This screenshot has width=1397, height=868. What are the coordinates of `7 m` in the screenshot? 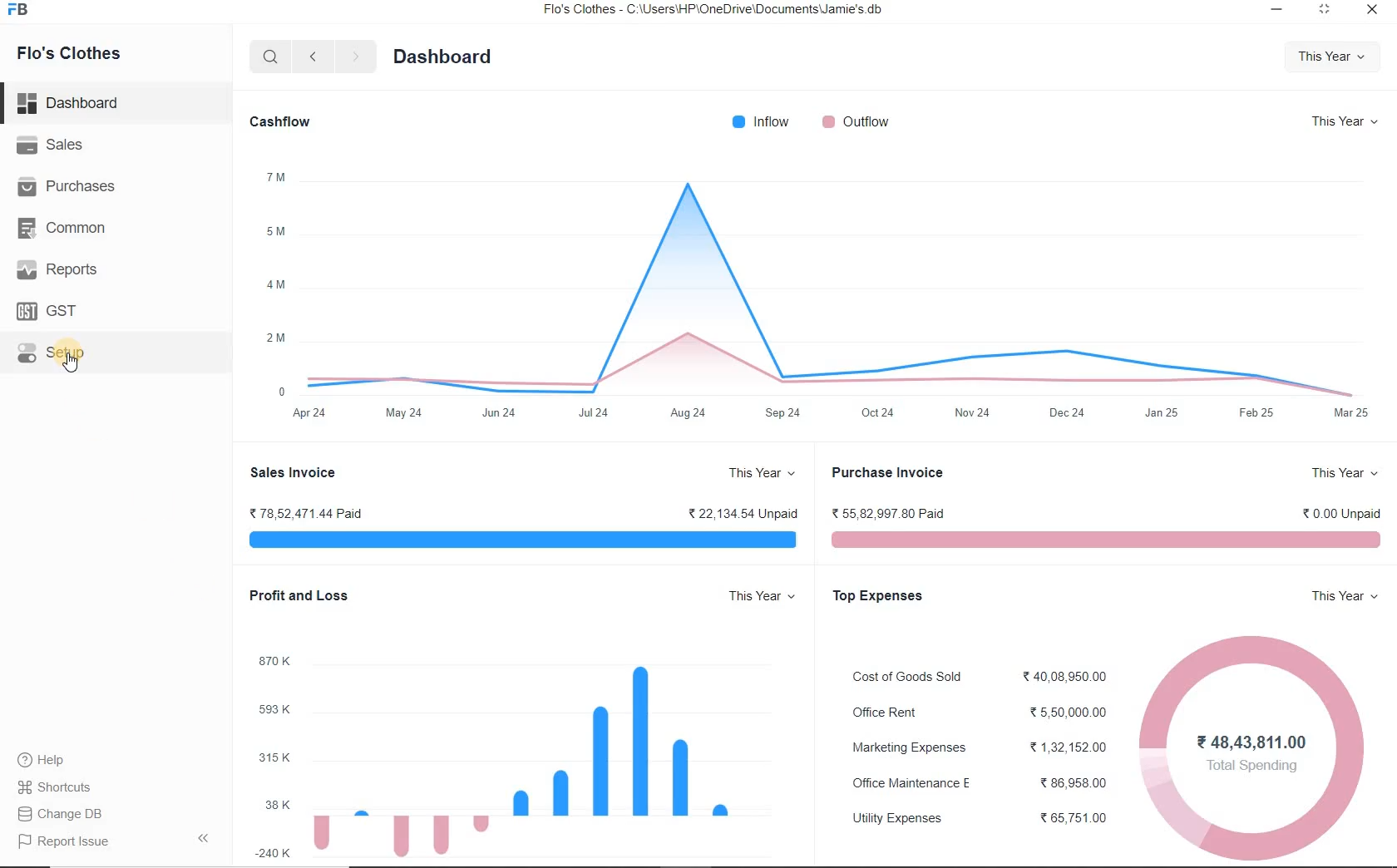 It's located at (276, 177).